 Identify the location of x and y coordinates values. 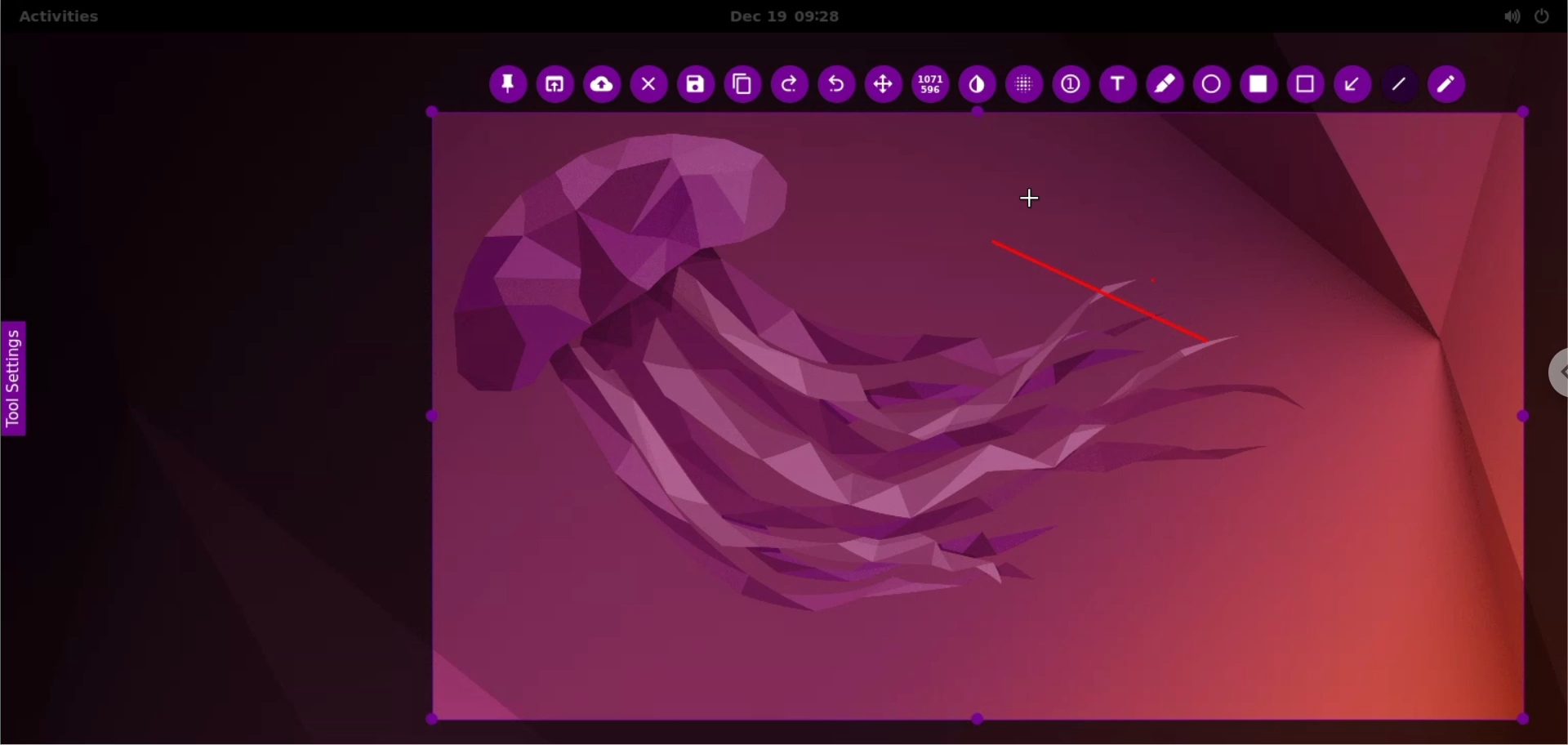
(932, 85).